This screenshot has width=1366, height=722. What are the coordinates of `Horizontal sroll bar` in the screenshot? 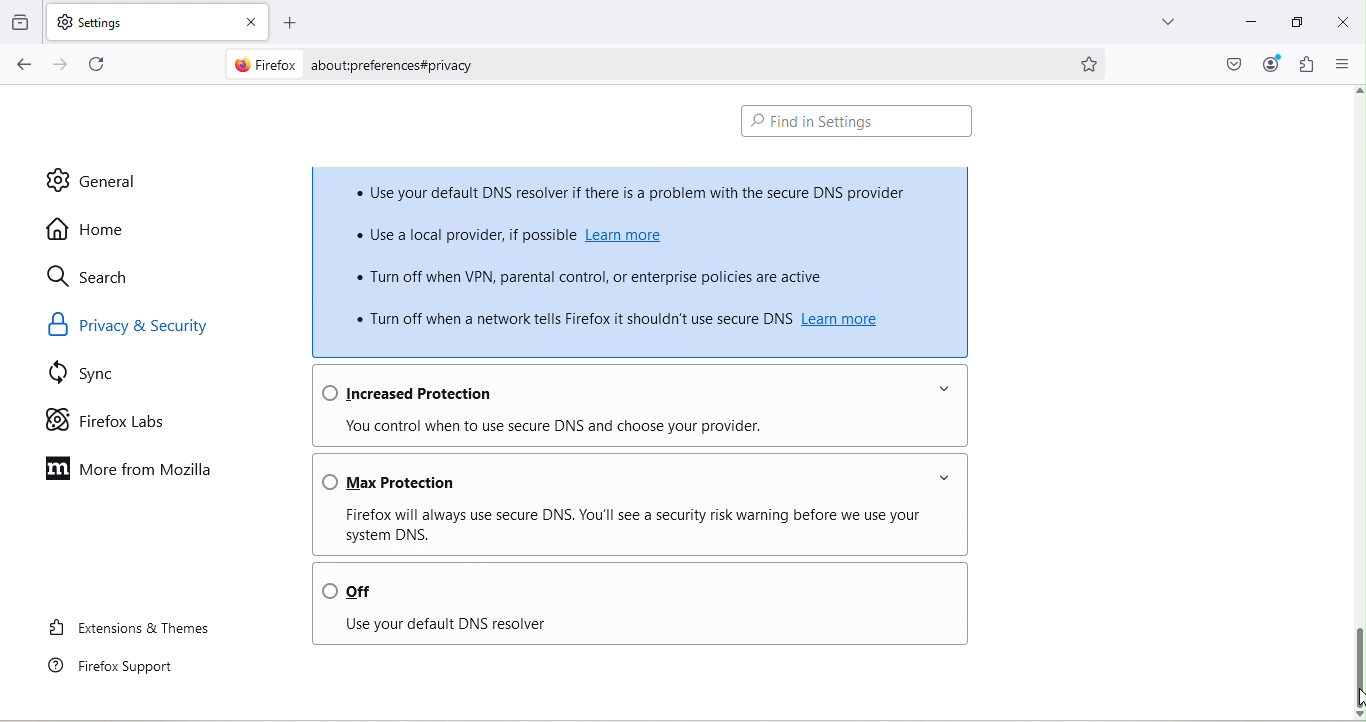 It's located at (1356, 654).